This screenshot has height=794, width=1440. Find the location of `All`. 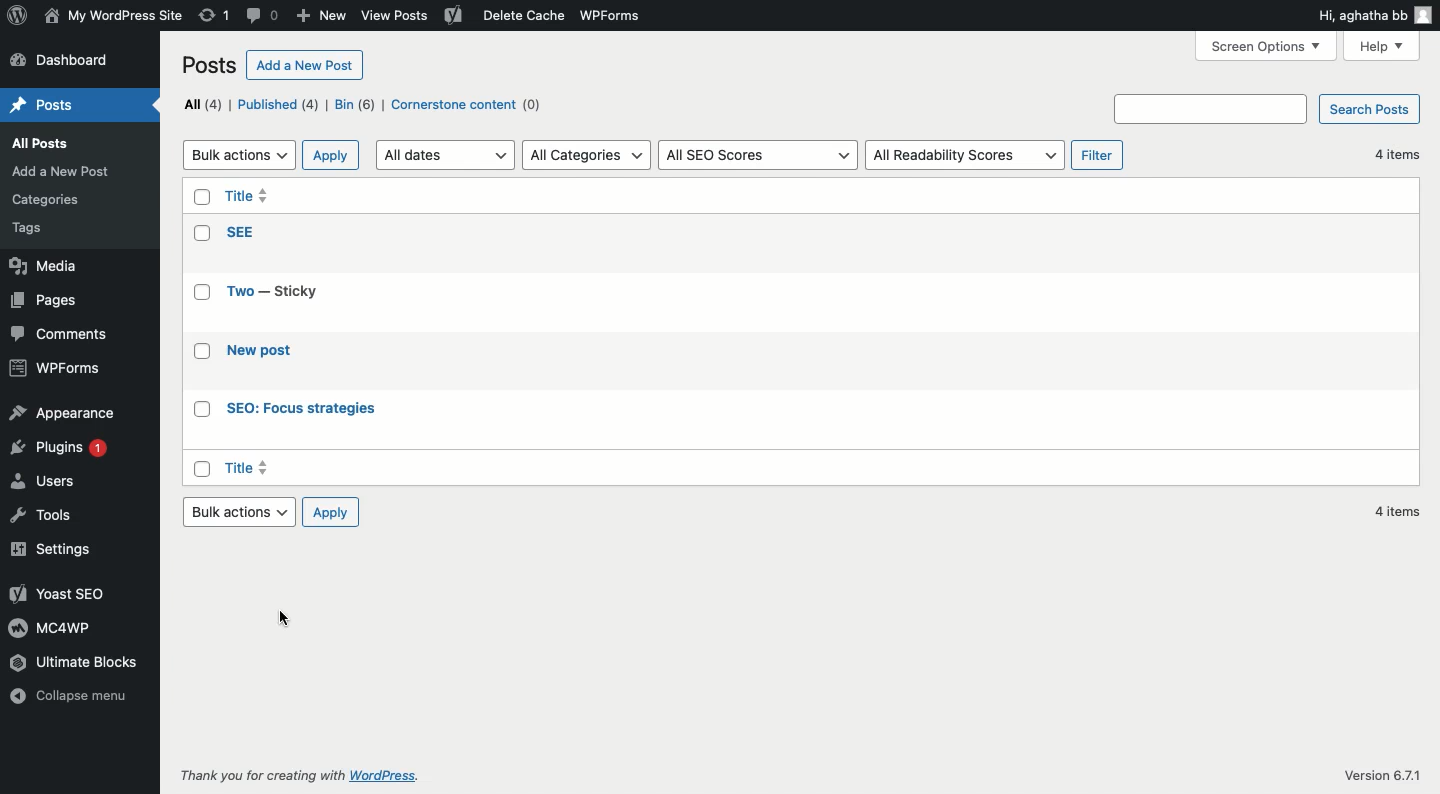

All is located at coordinates (202, 103).